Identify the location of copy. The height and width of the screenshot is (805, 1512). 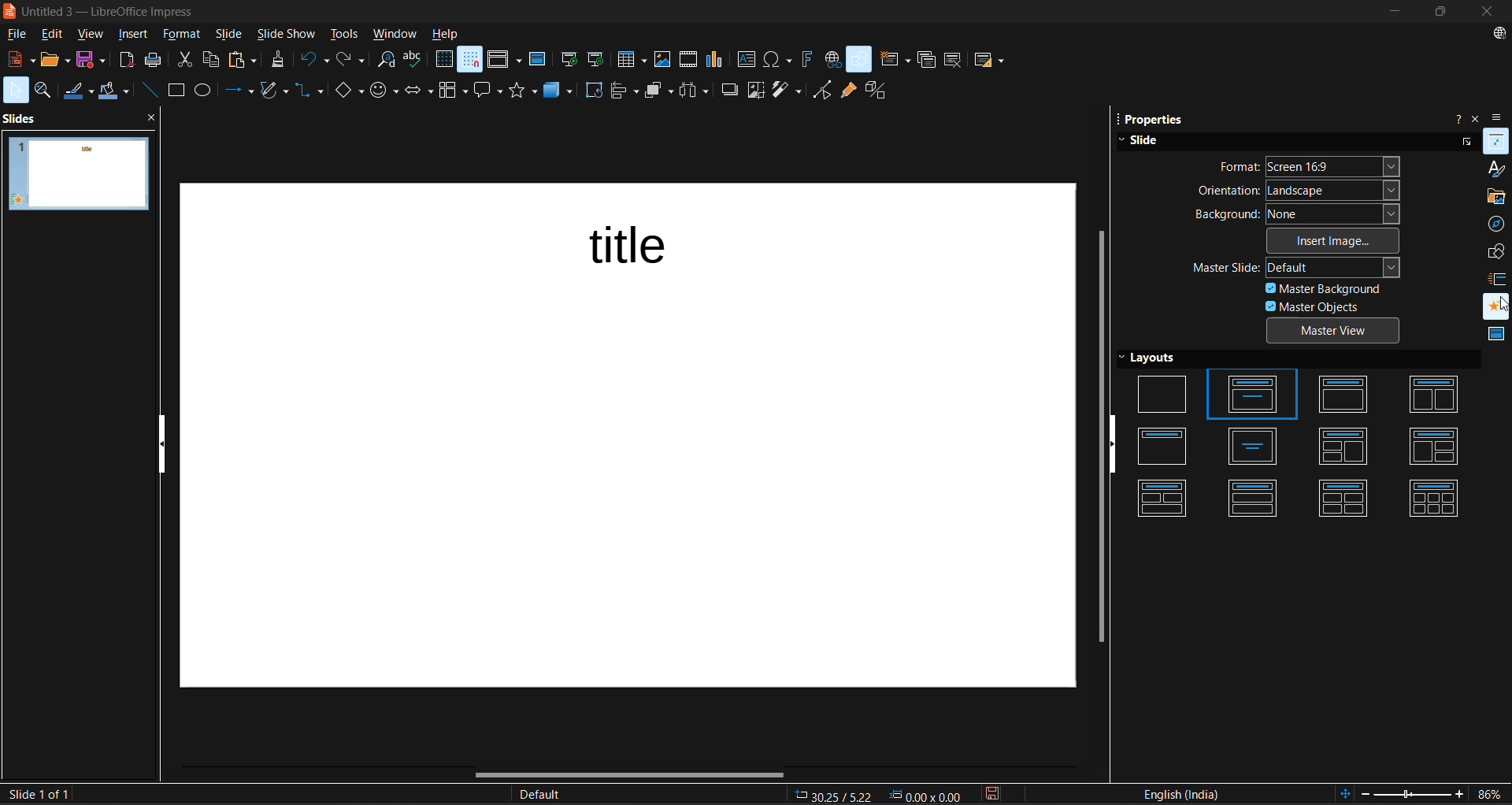
(216, 60).